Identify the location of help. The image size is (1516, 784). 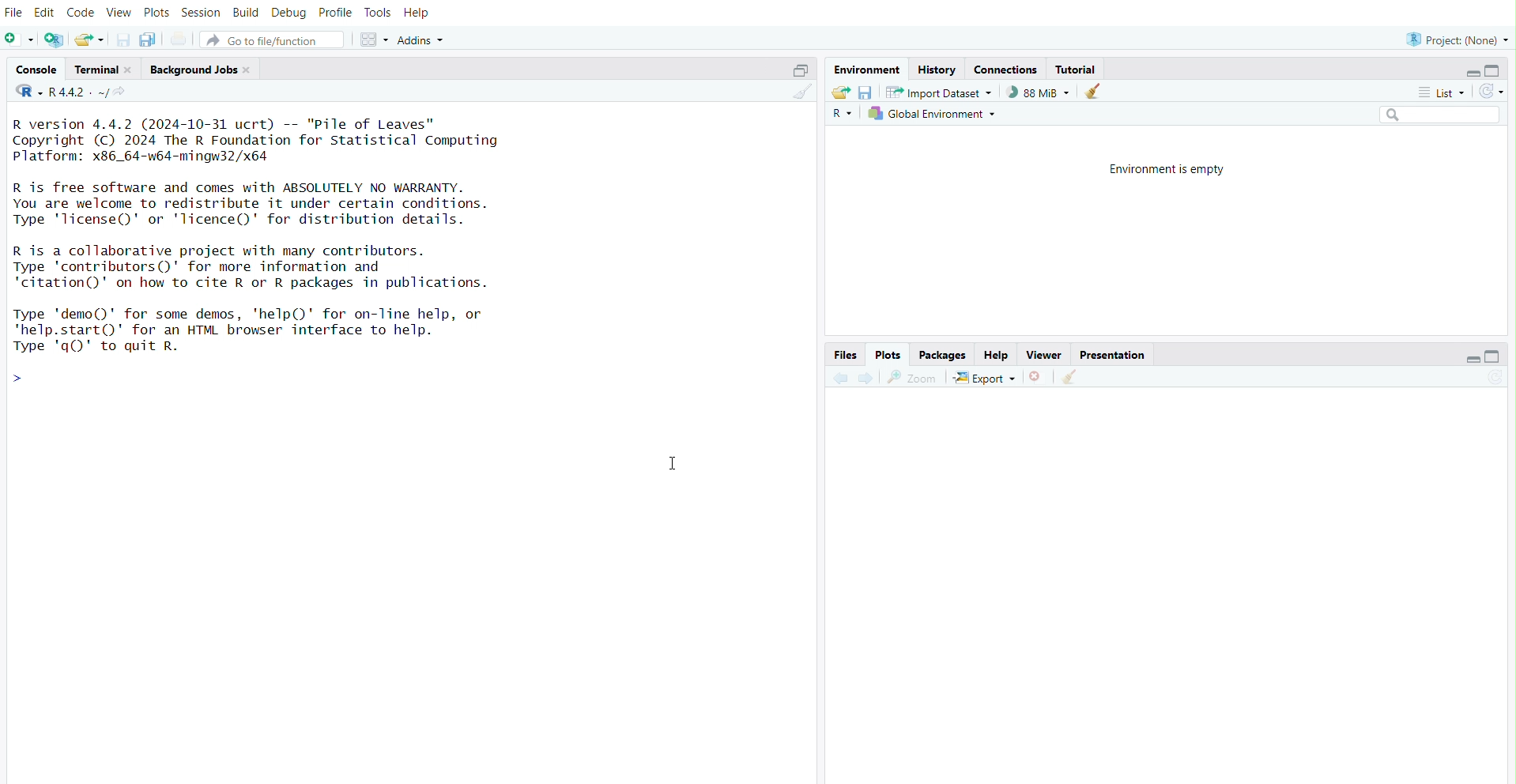
(419, 10).